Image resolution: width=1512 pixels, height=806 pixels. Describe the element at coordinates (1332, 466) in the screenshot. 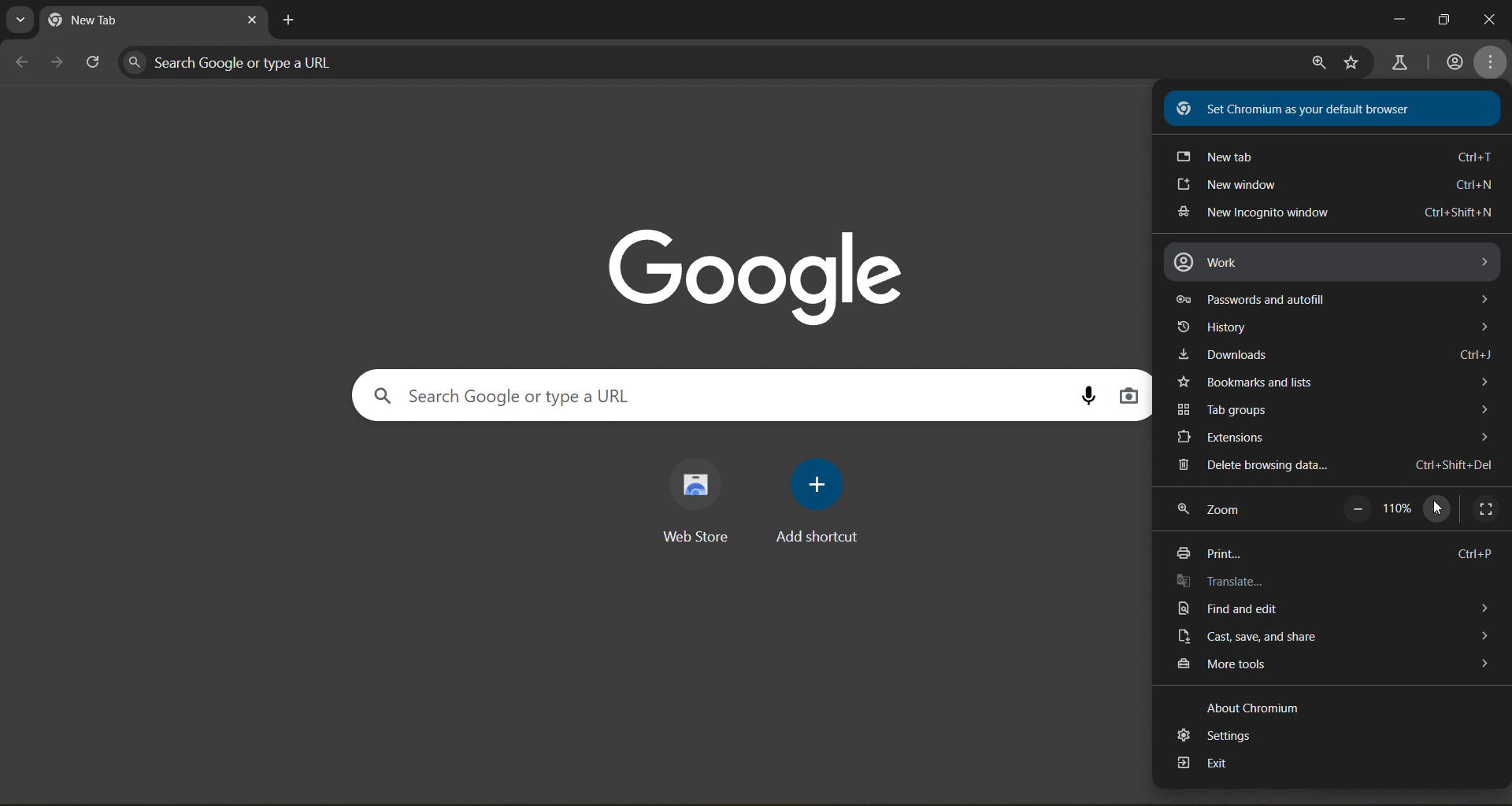

I see `delete brosing data` at that location.